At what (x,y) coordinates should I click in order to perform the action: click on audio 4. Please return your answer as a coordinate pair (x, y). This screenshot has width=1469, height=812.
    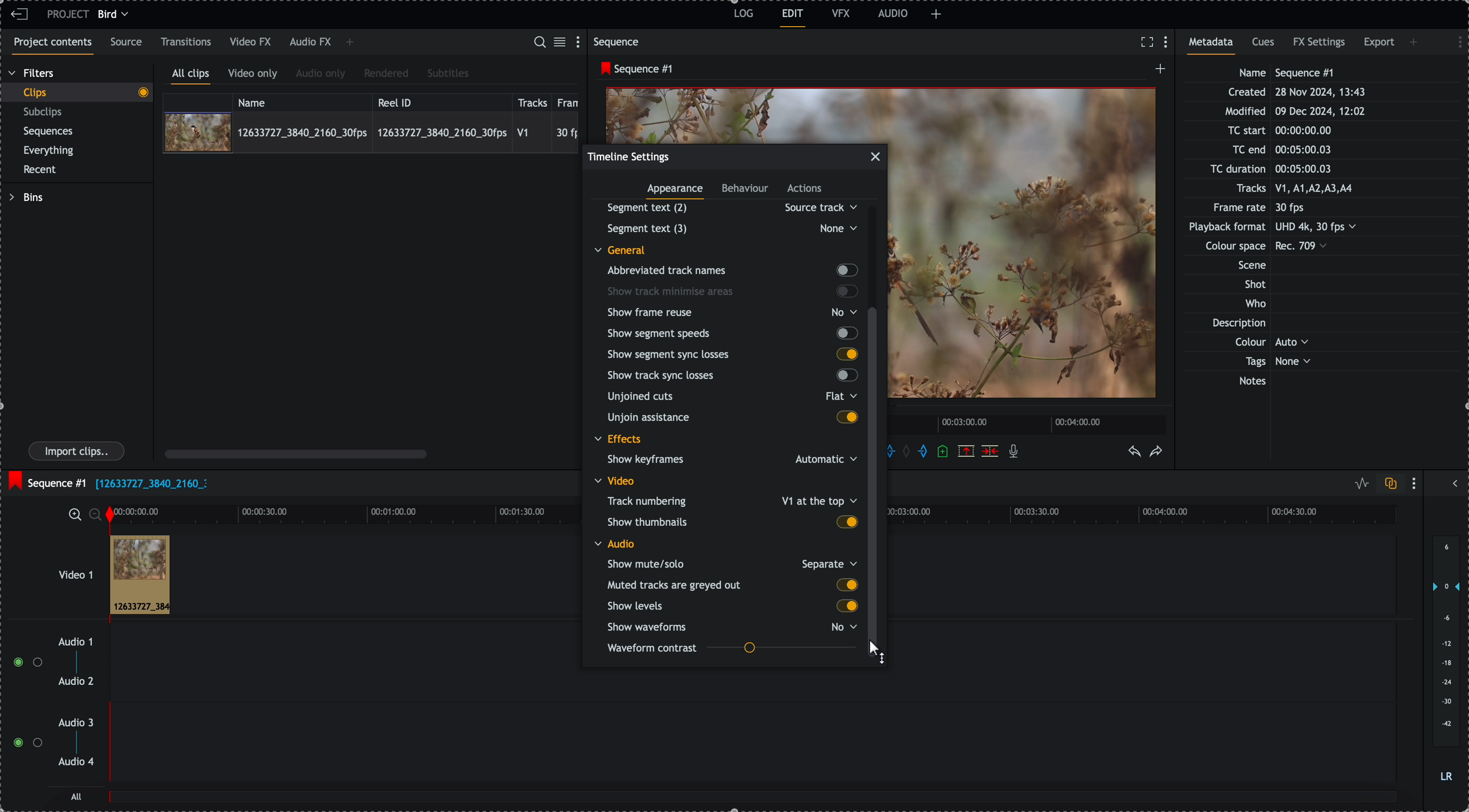
    Looking at the image, I should click on (75, 762).